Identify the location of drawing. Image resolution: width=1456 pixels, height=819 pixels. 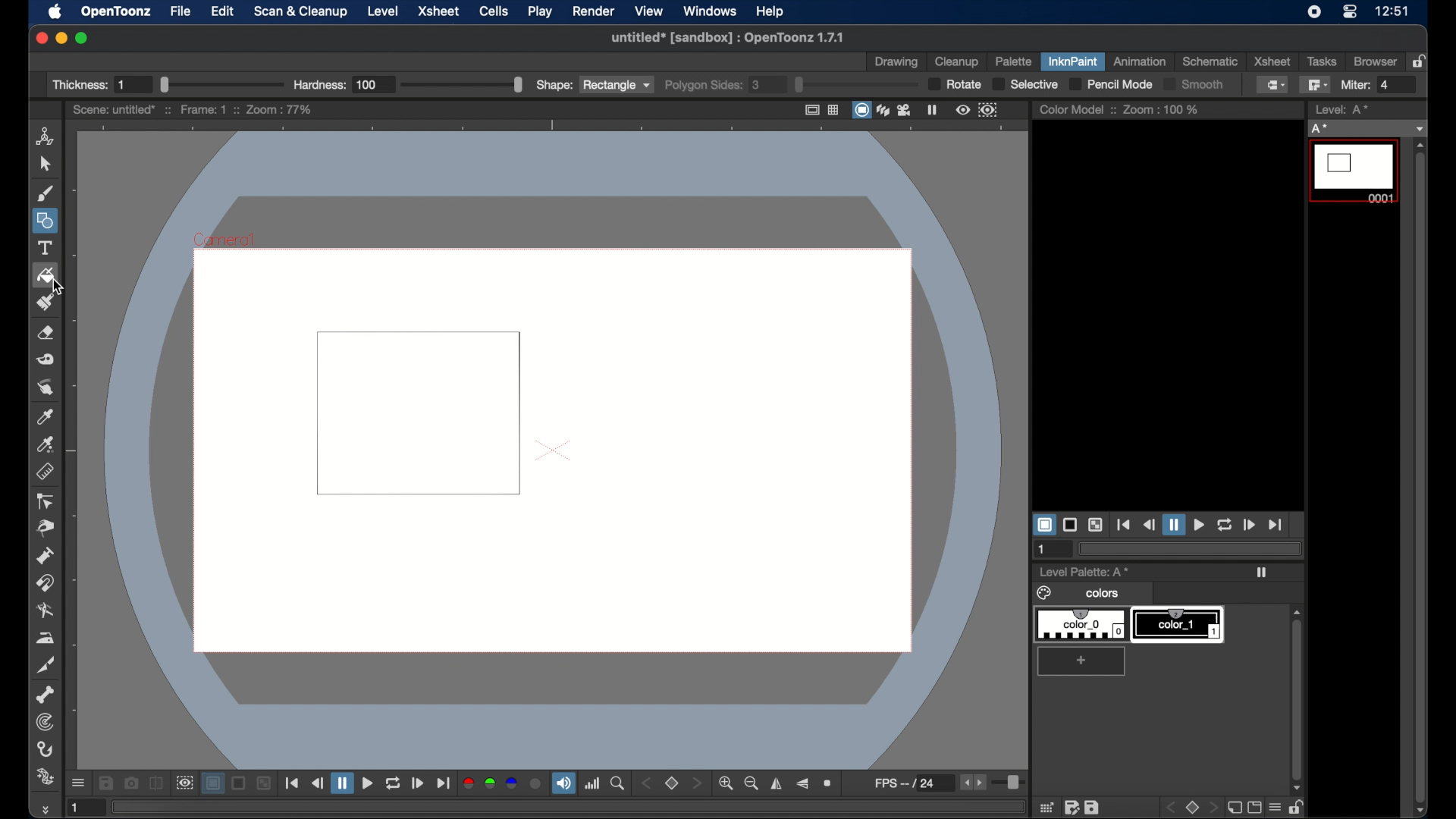
(896, 63).